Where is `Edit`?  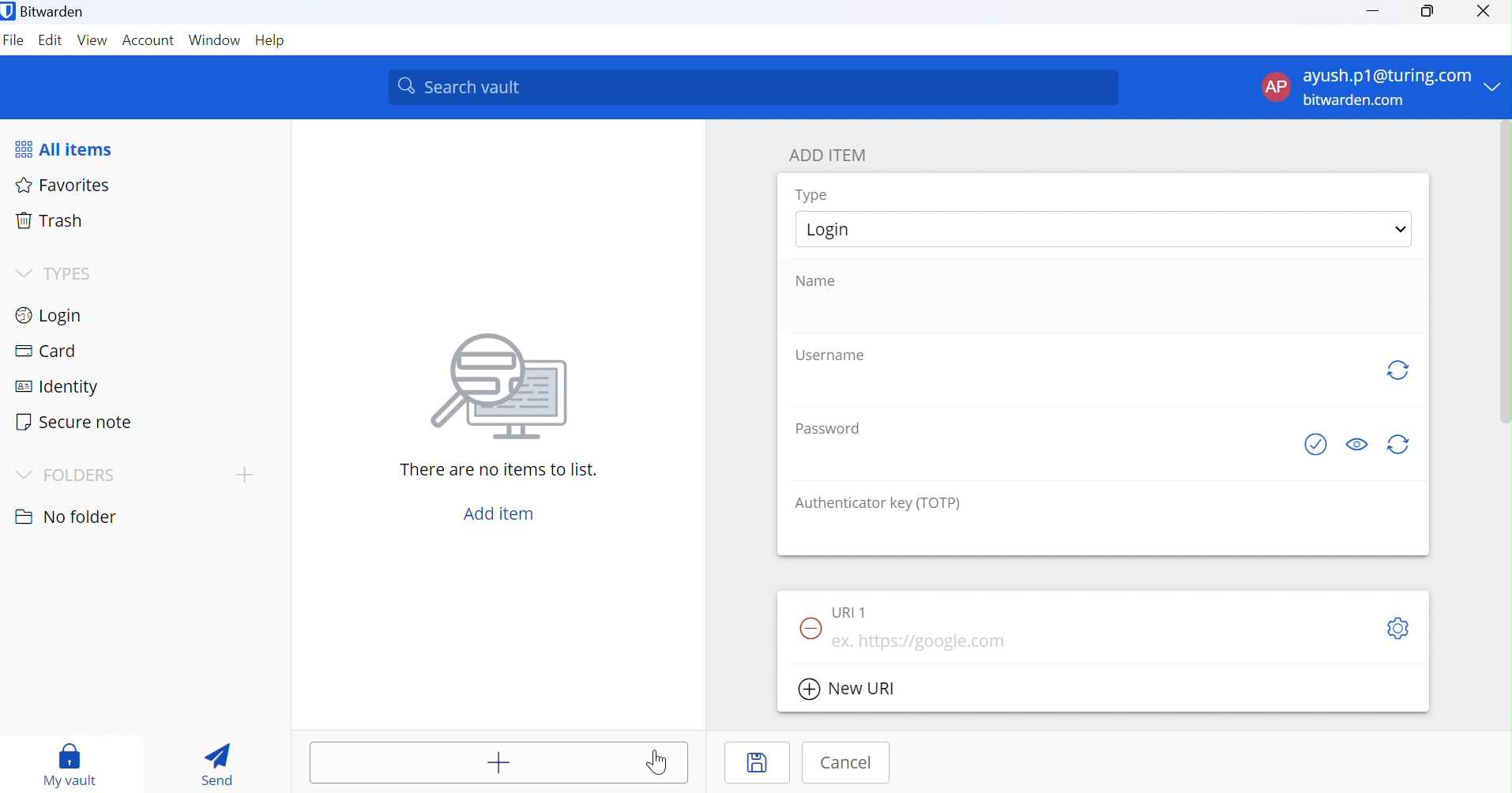 Edit is located at coordinates (52, 42).